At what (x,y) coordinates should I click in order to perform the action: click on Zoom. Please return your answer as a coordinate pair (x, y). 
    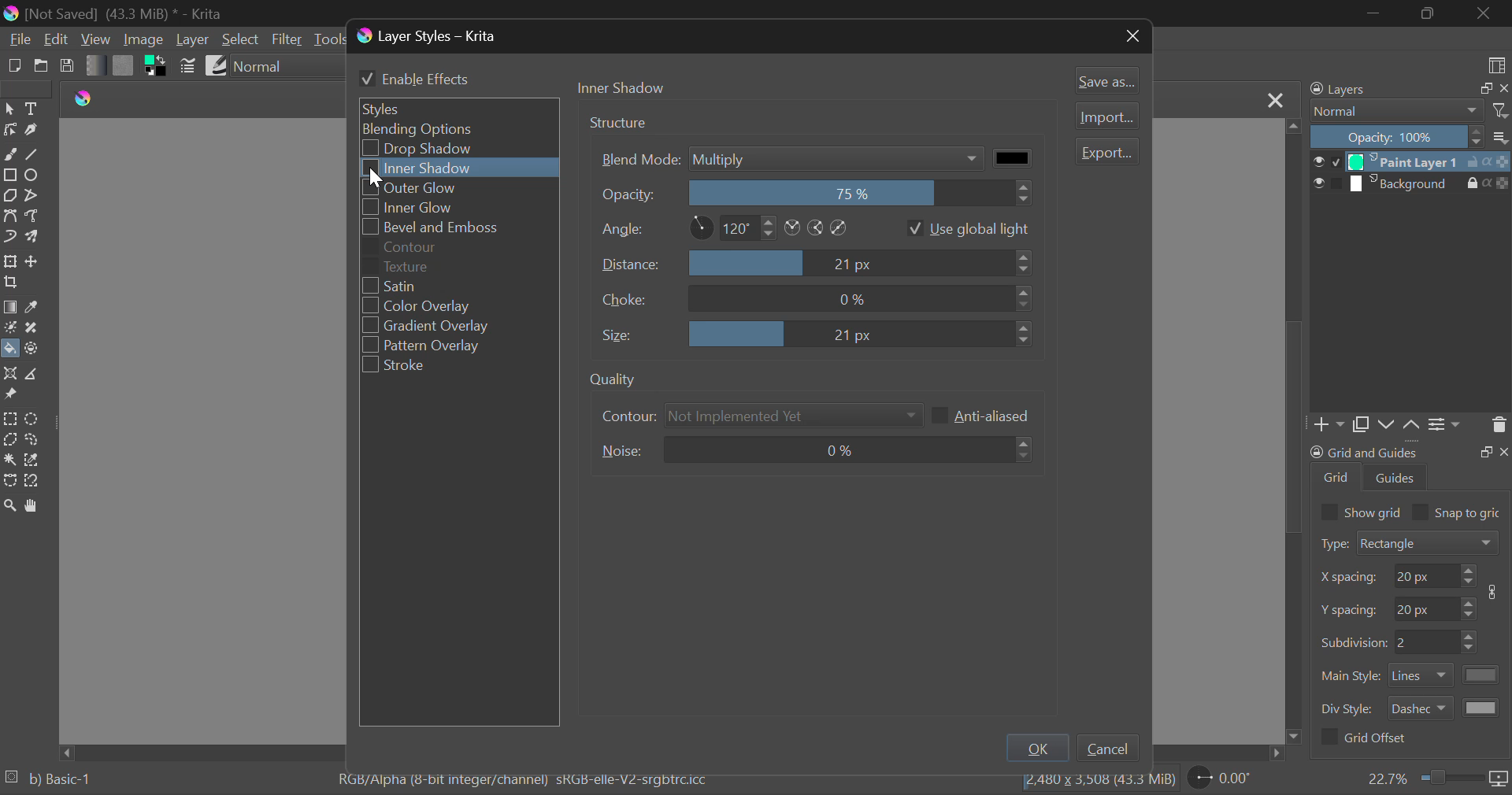
    Looking at the image, I should click on (10, 505).